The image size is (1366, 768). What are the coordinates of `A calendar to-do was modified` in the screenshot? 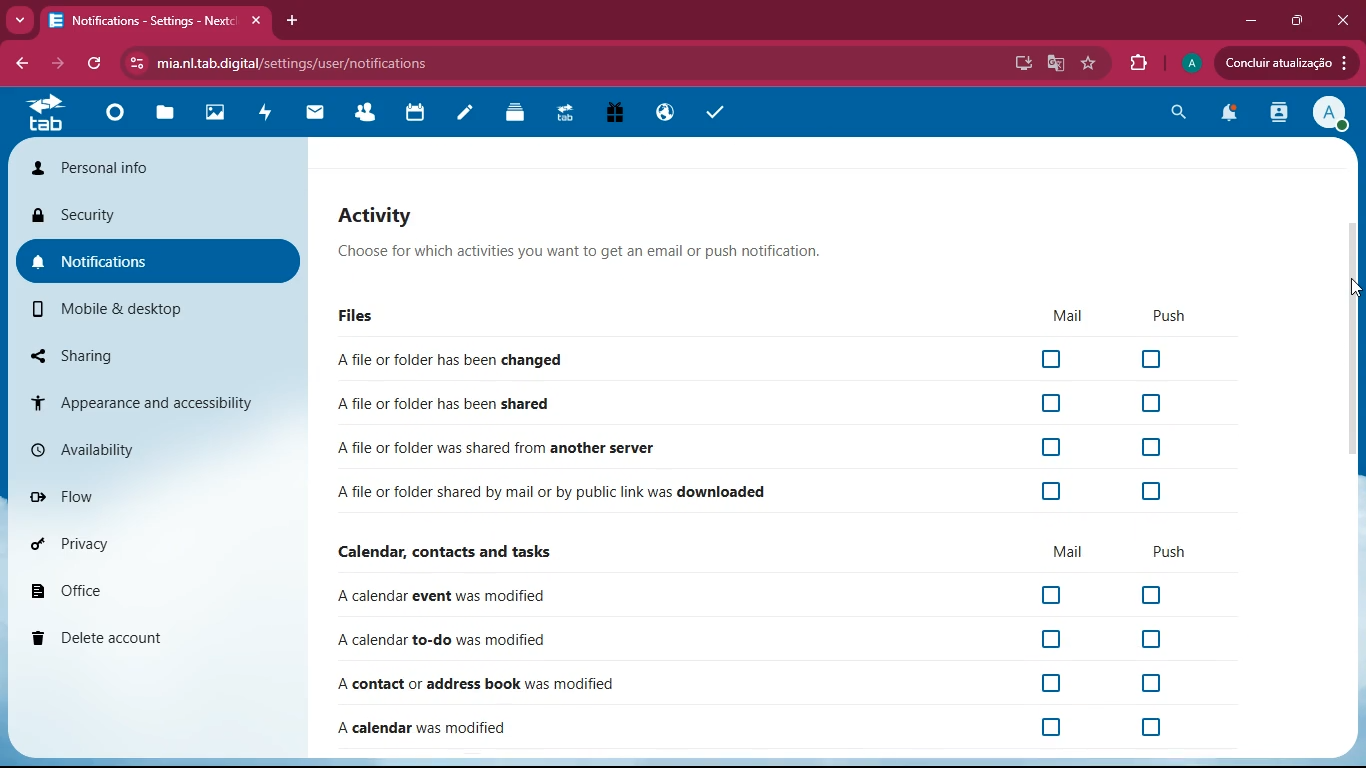 It's located at (442, 642).